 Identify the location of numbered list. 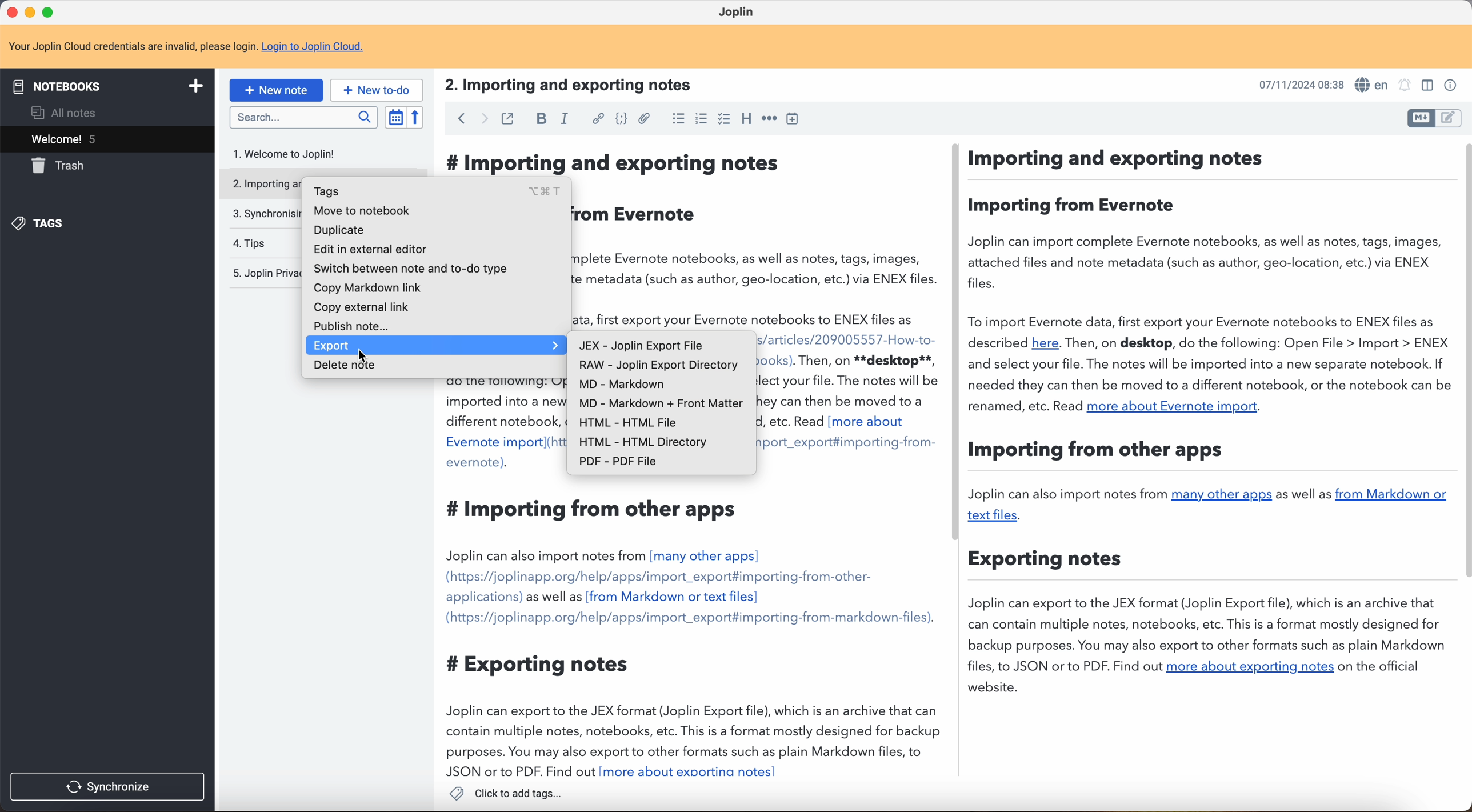
(700, 121).